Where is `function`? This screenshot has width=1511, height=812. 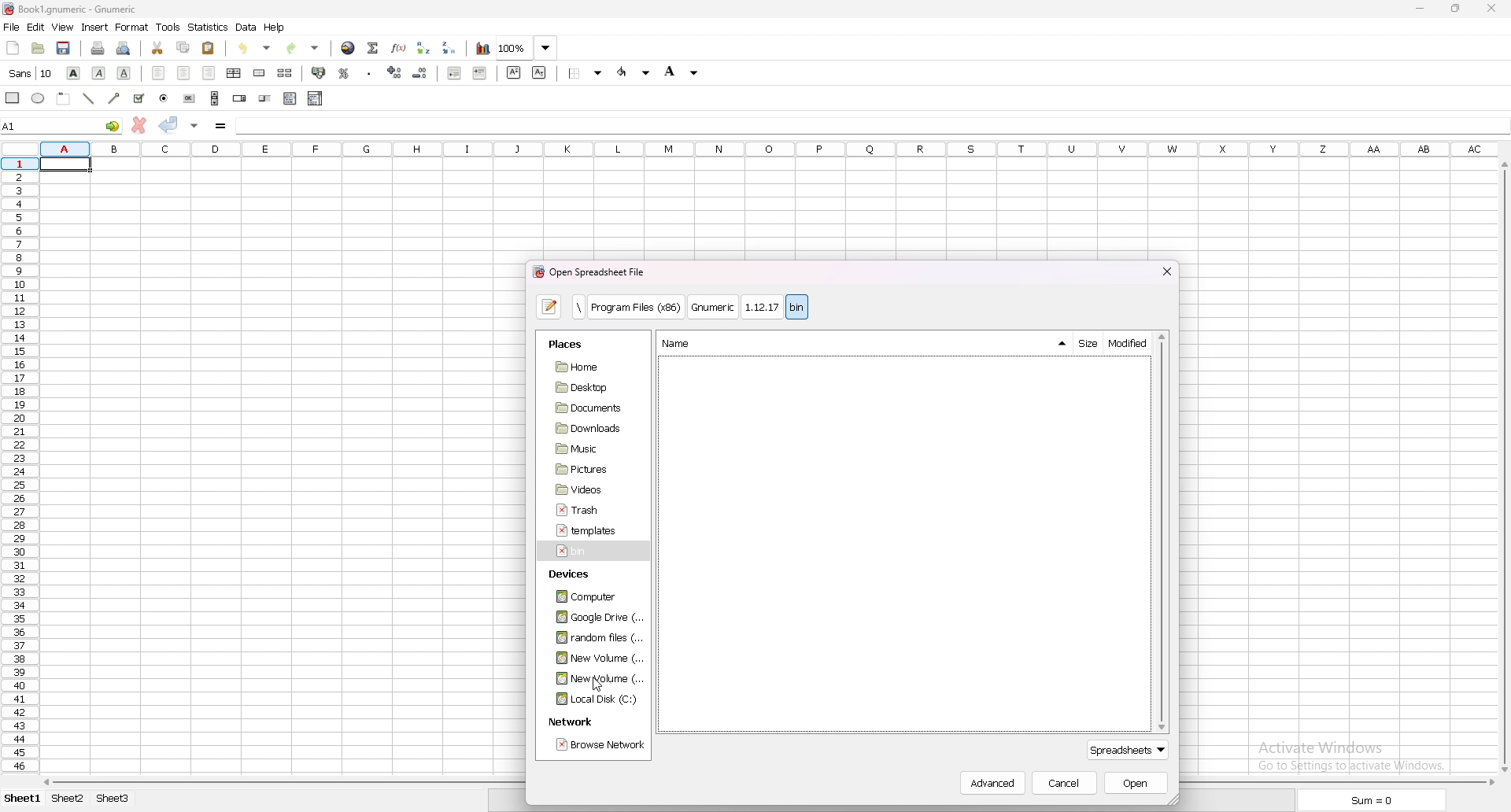 function is located at coordinates (400, 48).